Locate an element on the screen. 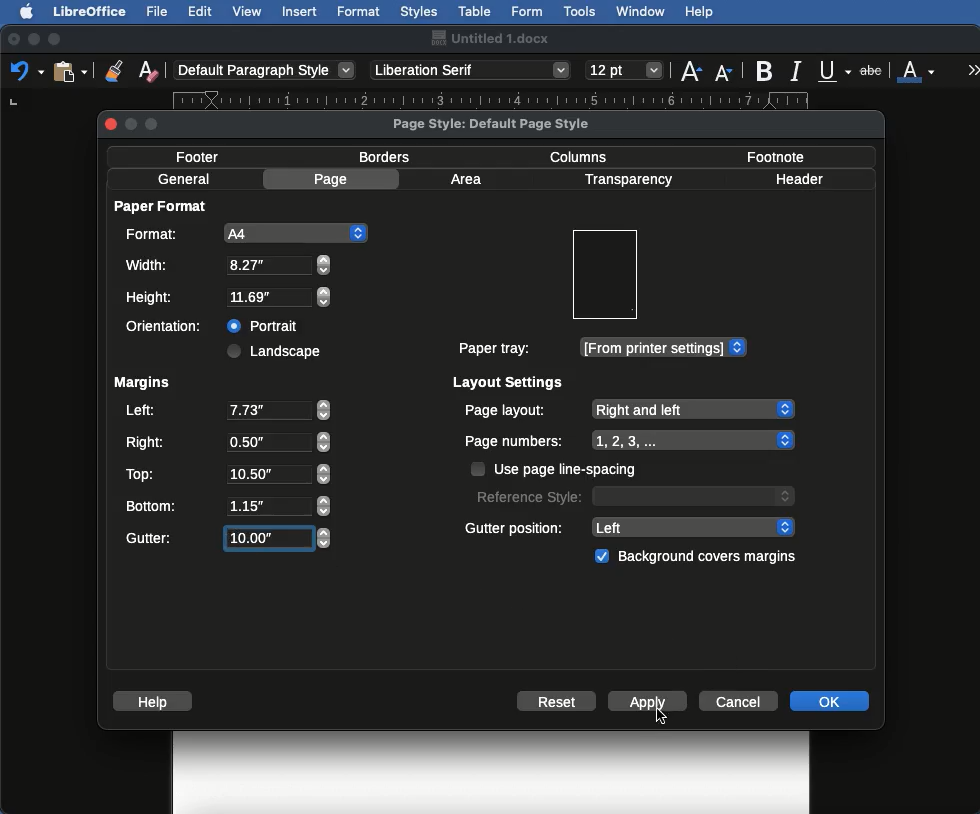 Image resolution: width=980 pixels, height=814 pixels. left tab is located at coordinates (14, 101).